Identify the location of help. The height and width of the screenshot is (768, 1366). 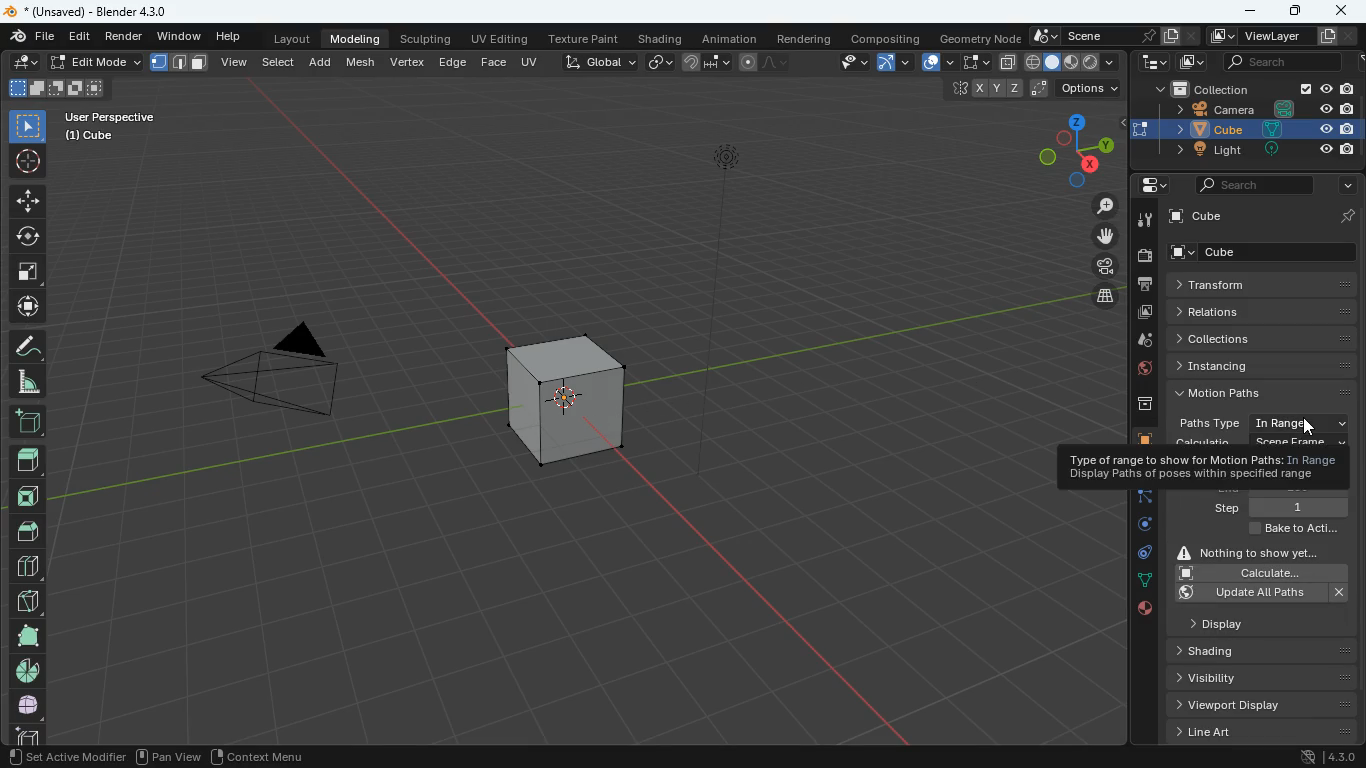
(231, 38).